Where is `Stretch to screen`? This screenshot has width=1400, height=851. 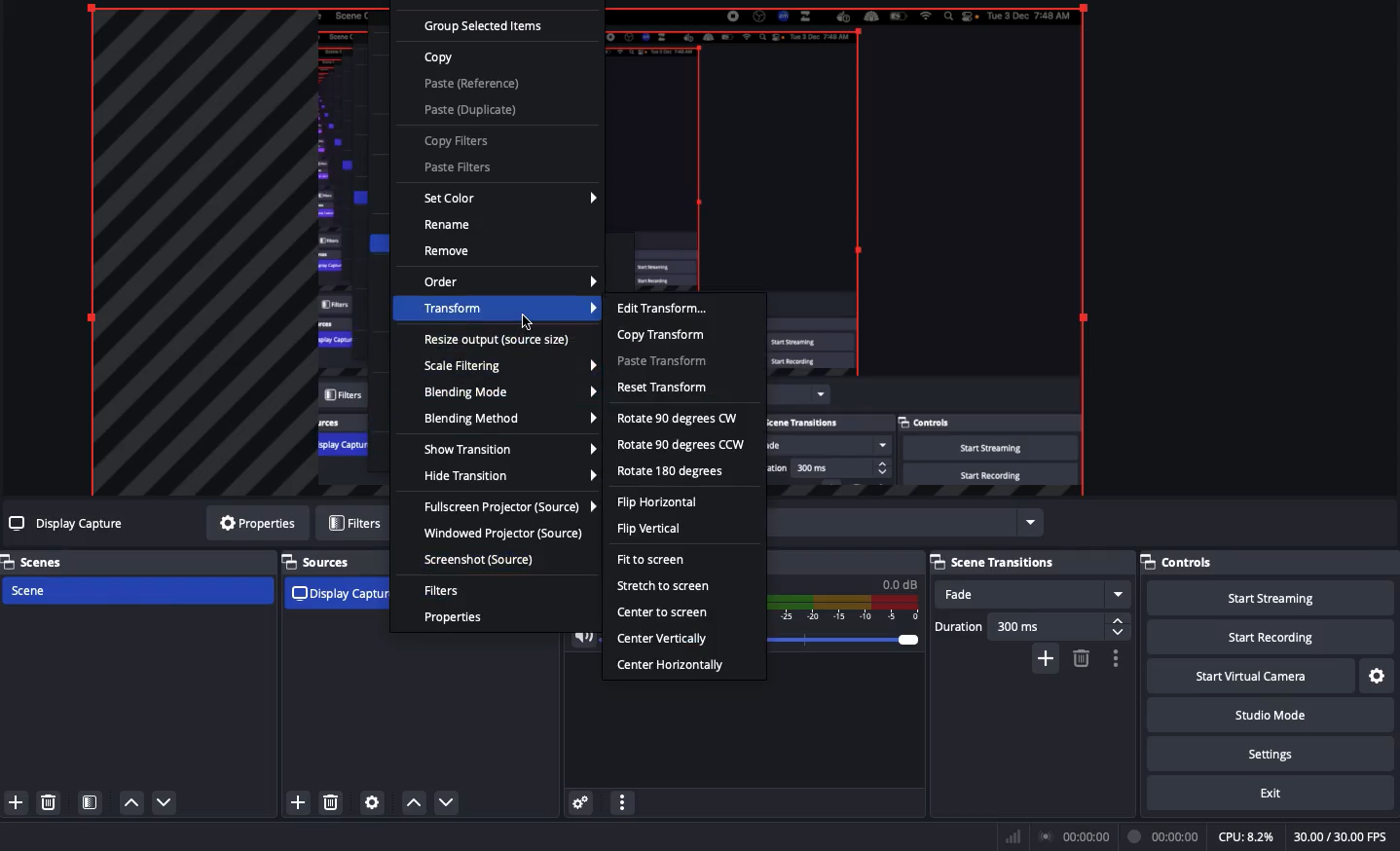
Stretch to screen is located at coordinates (664, 588).